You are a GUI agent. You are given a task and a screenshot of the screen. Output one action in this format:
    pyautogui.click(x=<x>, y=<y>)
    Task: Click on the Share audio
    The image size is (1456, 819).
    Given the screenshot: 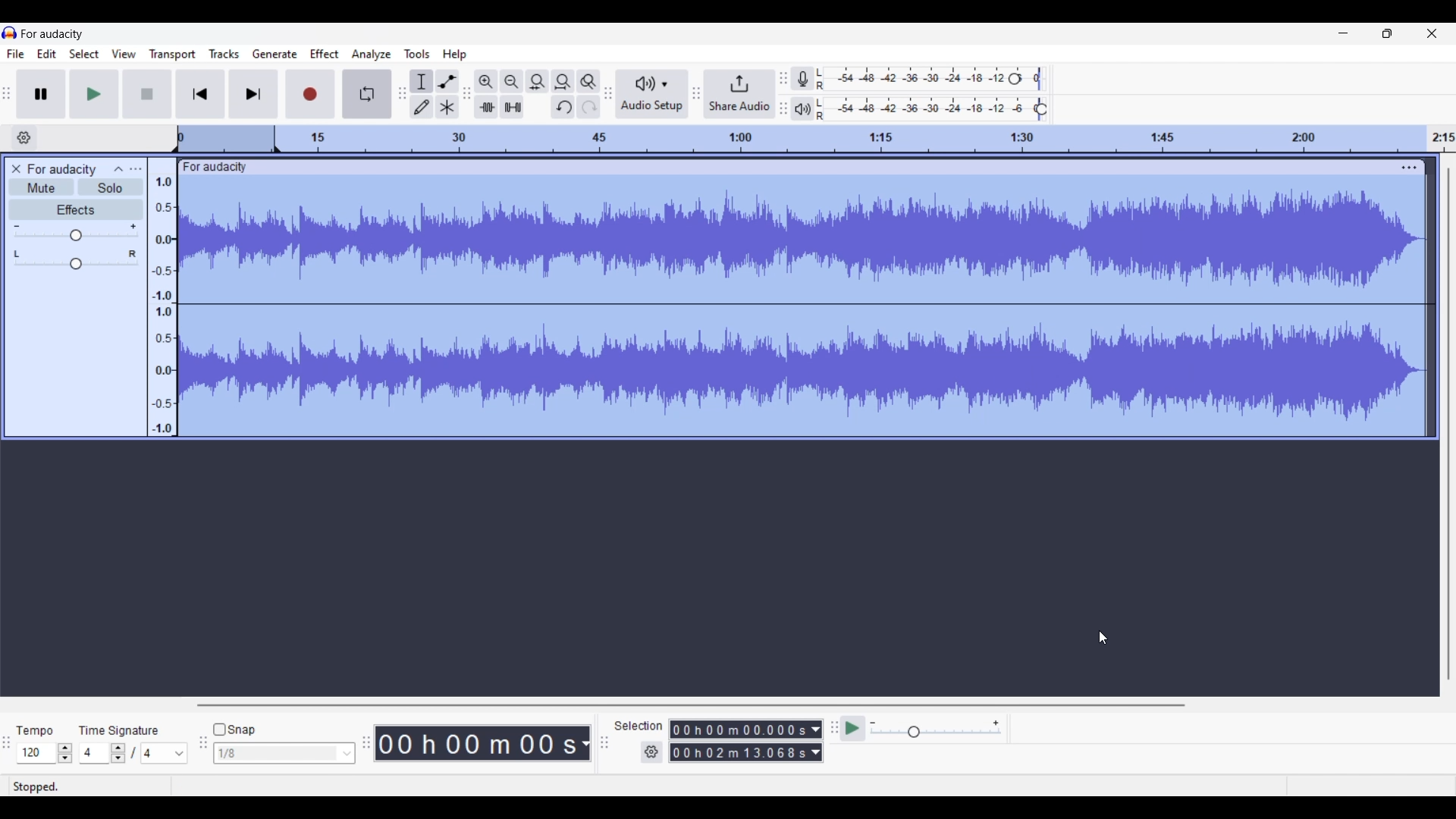 What is the action you would take?
    pyautogui.click(x=740, y=94)
    